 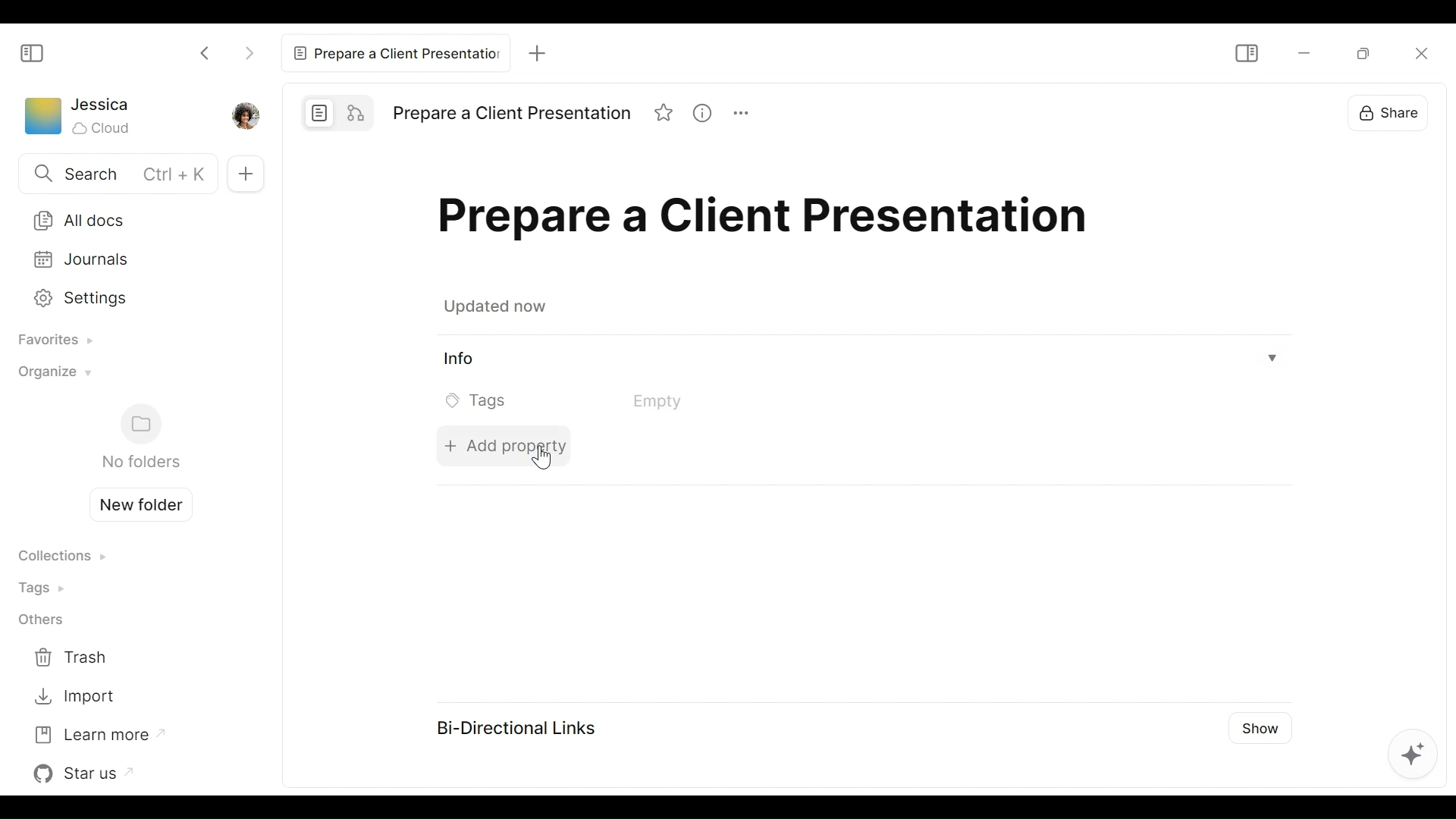 What do you see at coordinates (1263, 724) in the screenshot?
I see `Show` at bounding box center [1263, 724].